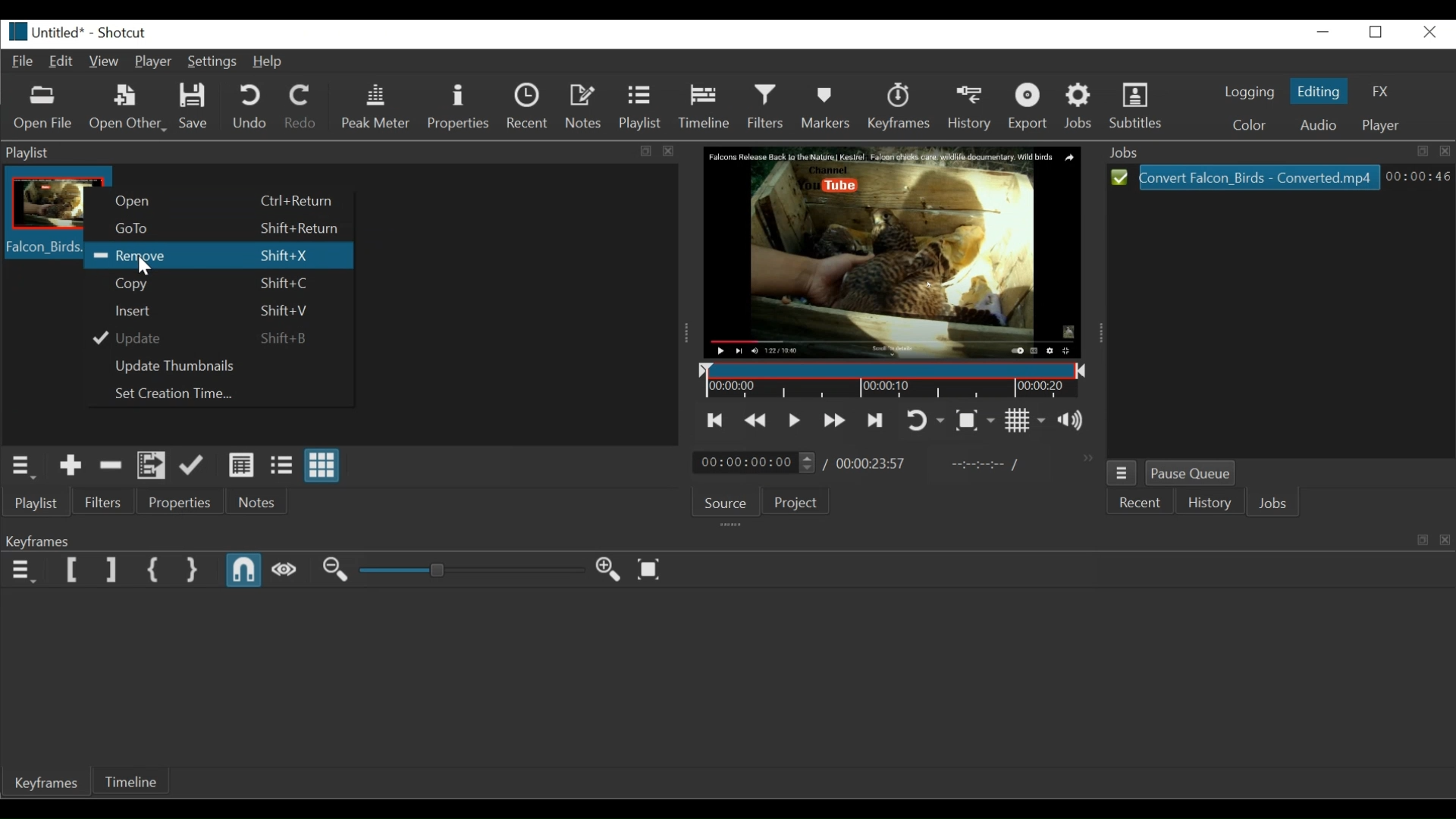 The width and height of the screenshot is (1456, 819). I want to click on restore, so click(1419, 538).